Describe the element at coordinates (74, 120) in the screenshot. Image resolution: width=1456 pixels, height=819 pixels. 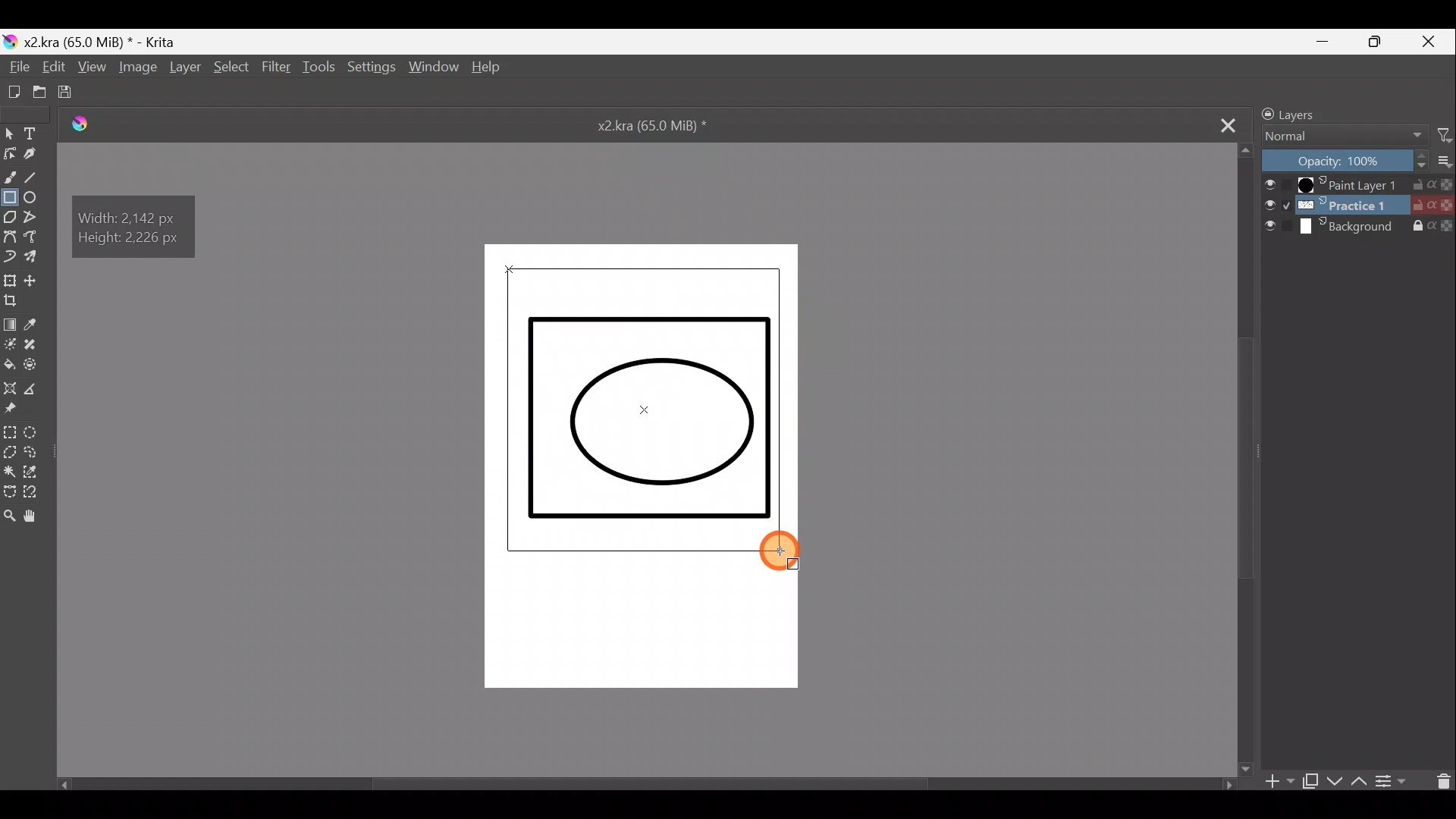
I see `Logo` at that location.